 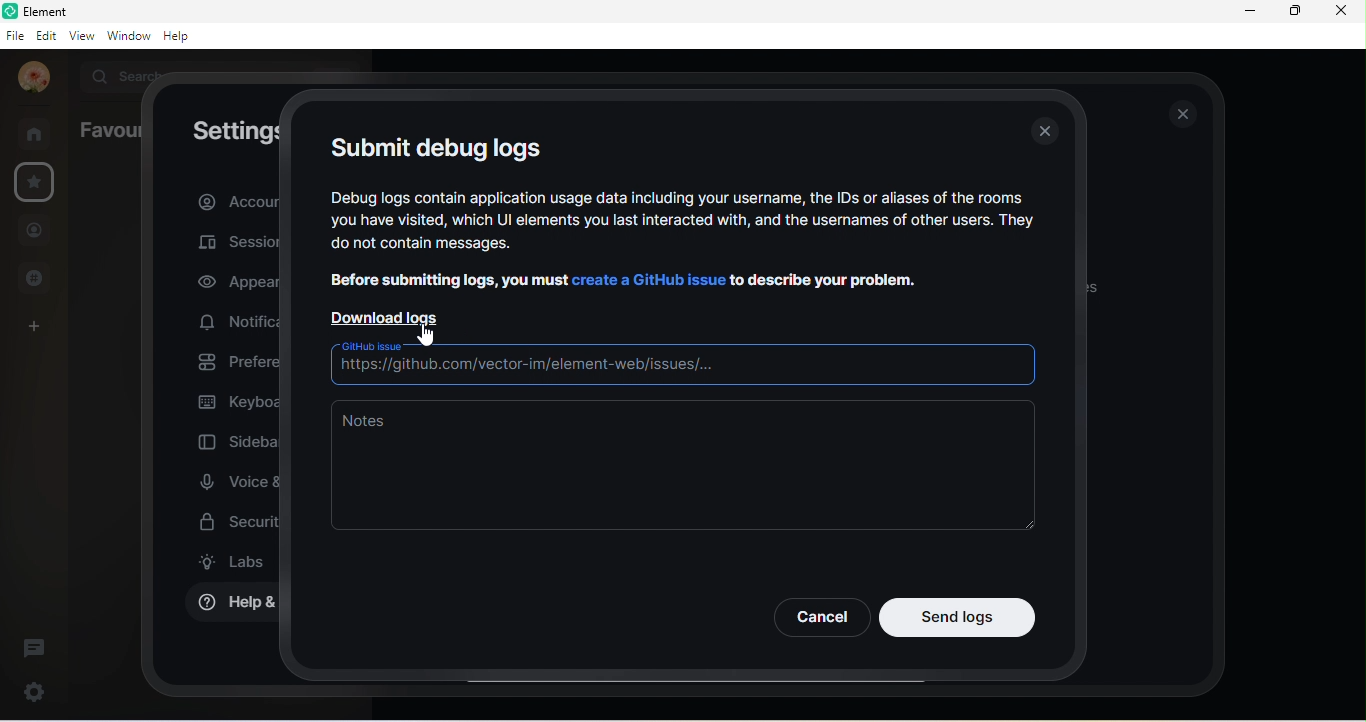 I want to click on file, so click(x=15, y=36).